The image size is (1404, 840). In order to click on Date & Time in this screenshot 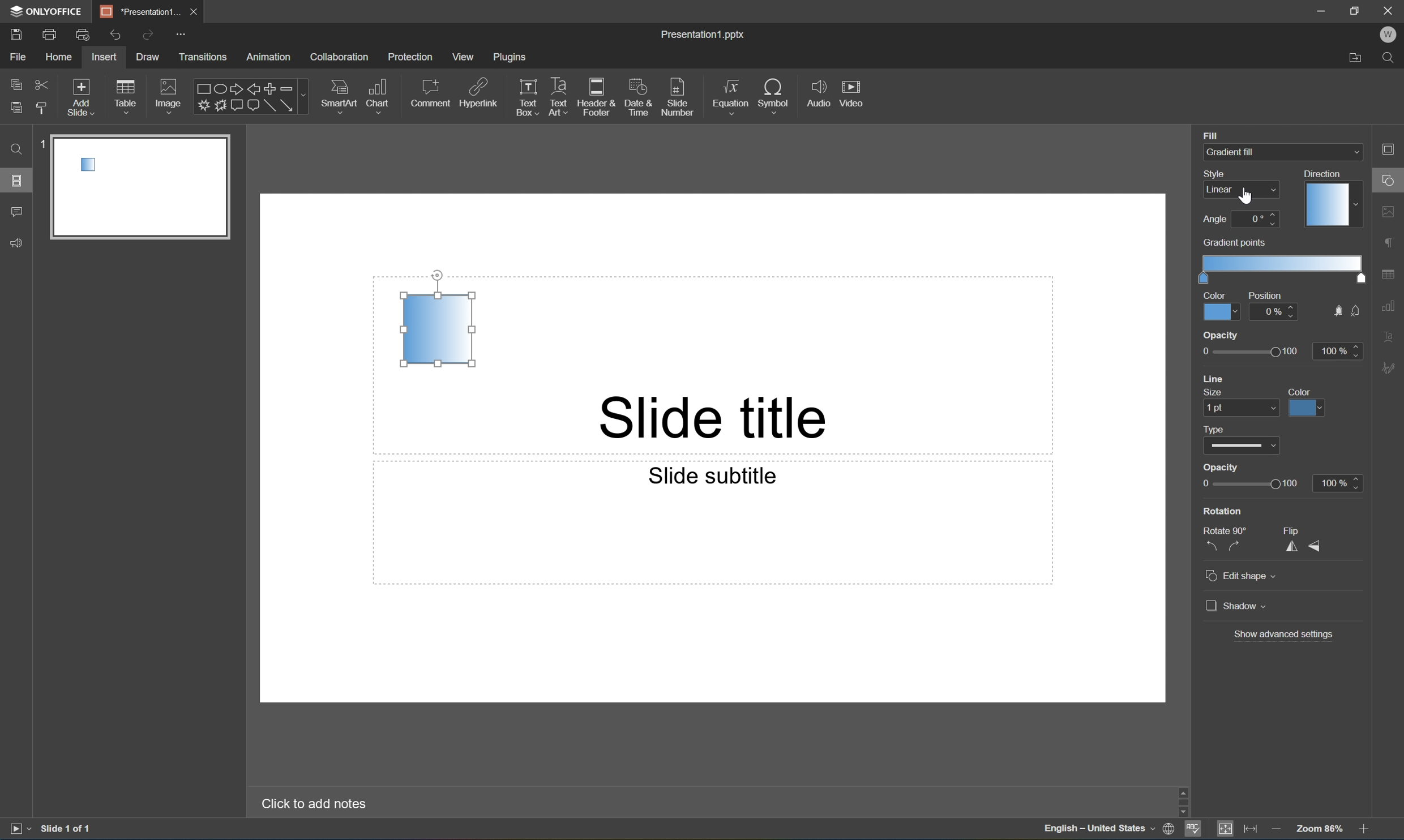, I will do `click(636, 96)`.